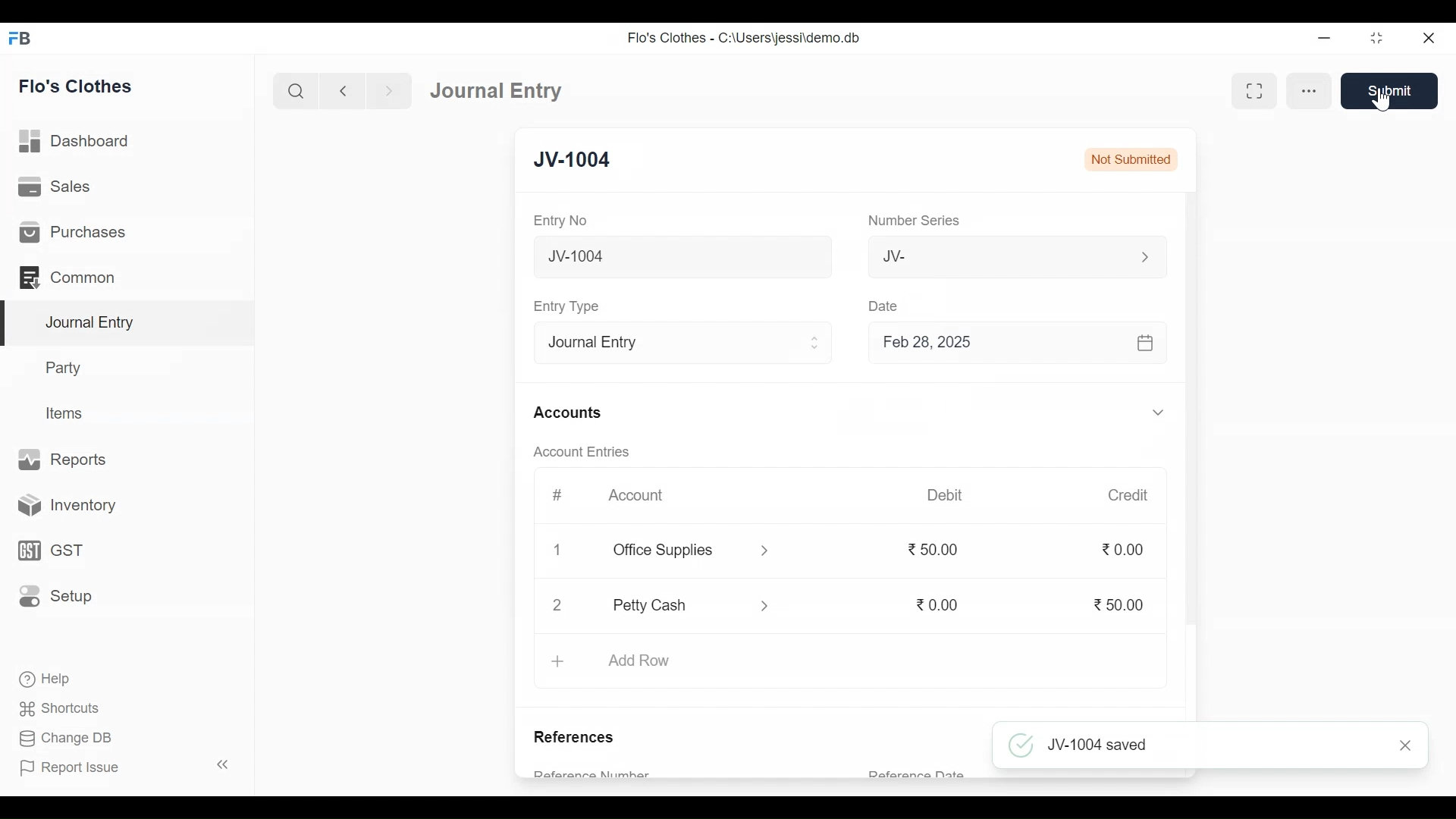 This screenshot has height=819, width=1456. Describe the element at coordinates (1404, 747) in the screenshot. I see `Close` at that location.